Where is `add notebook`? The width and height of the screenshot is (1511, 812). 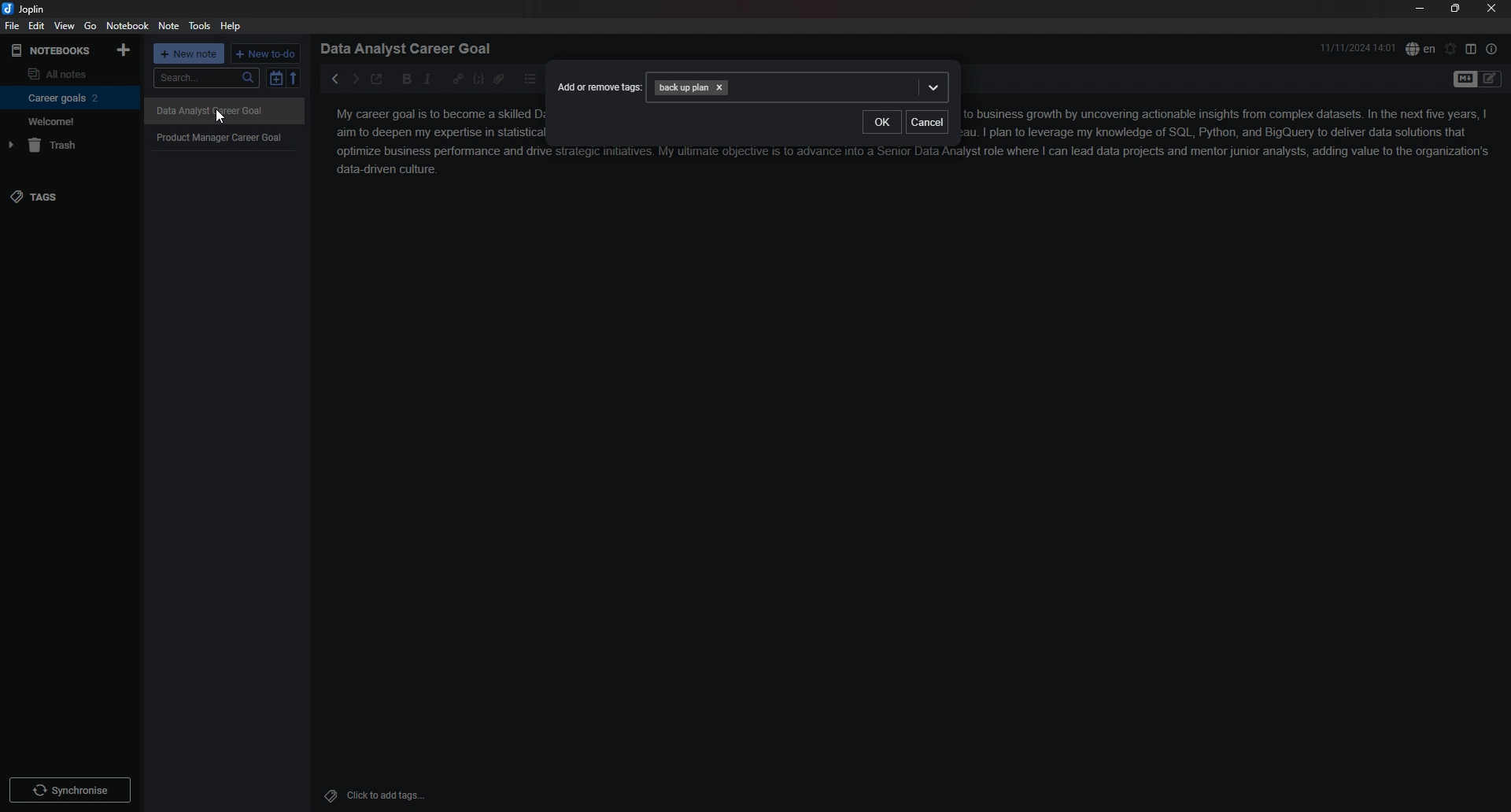
add notebook is located at coordinates (125, 50).